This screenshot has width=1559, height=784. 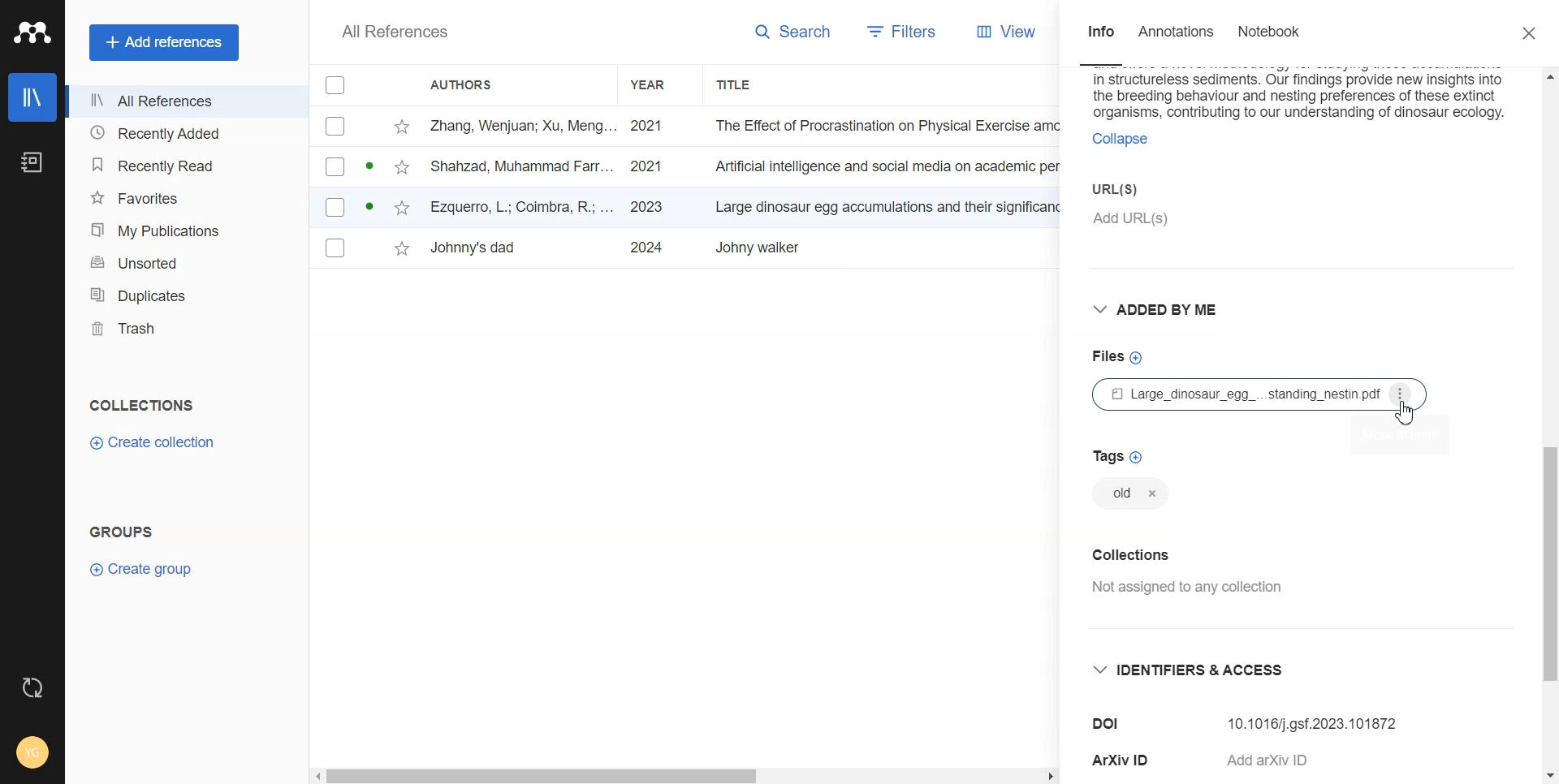 What do you see at coordinates (1548, 774) in the screenshot?
I see `Scroll down` at bounding box center [1548, 774].